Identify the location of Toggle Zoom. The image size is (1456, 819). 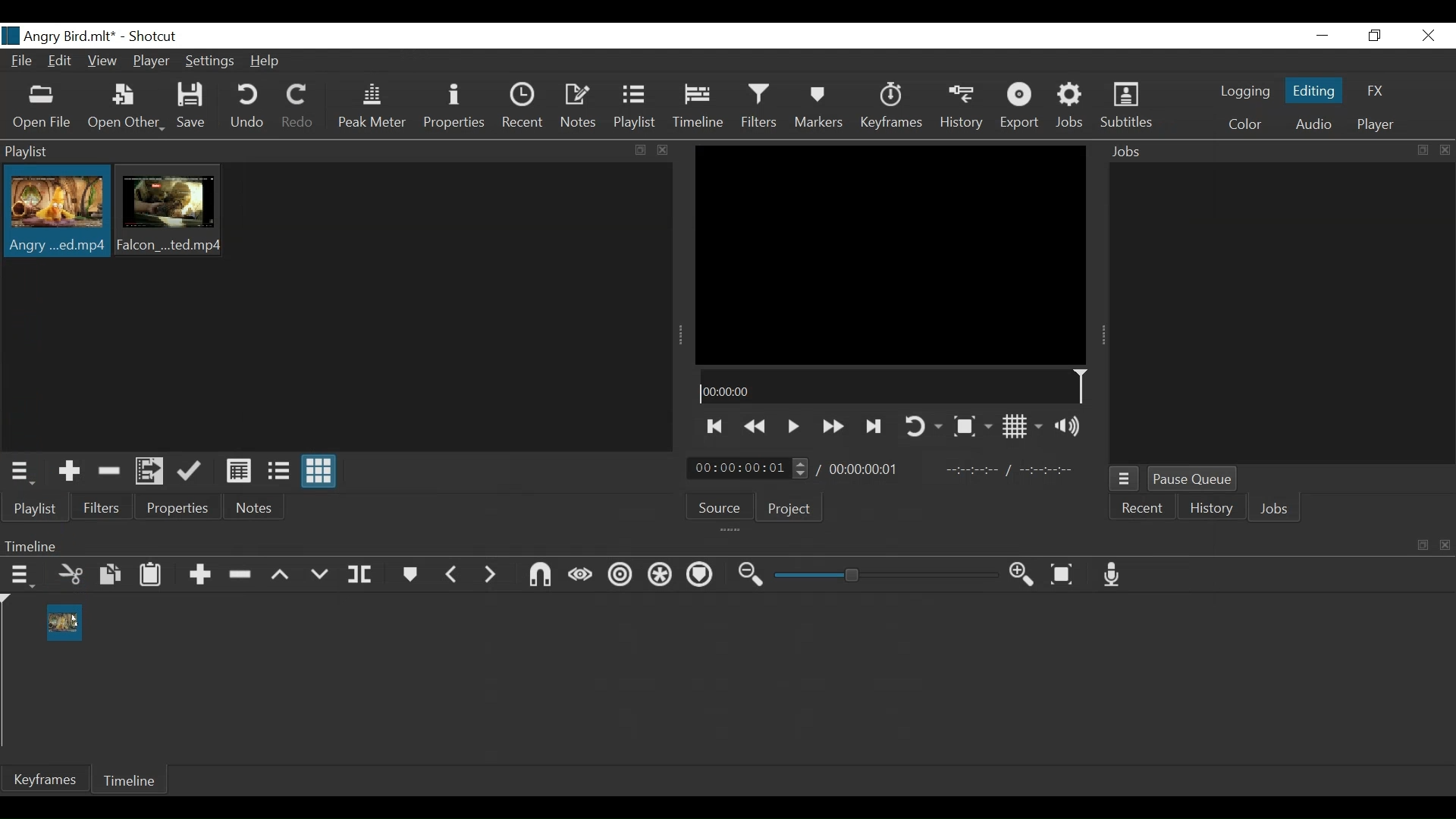
(971, 427).